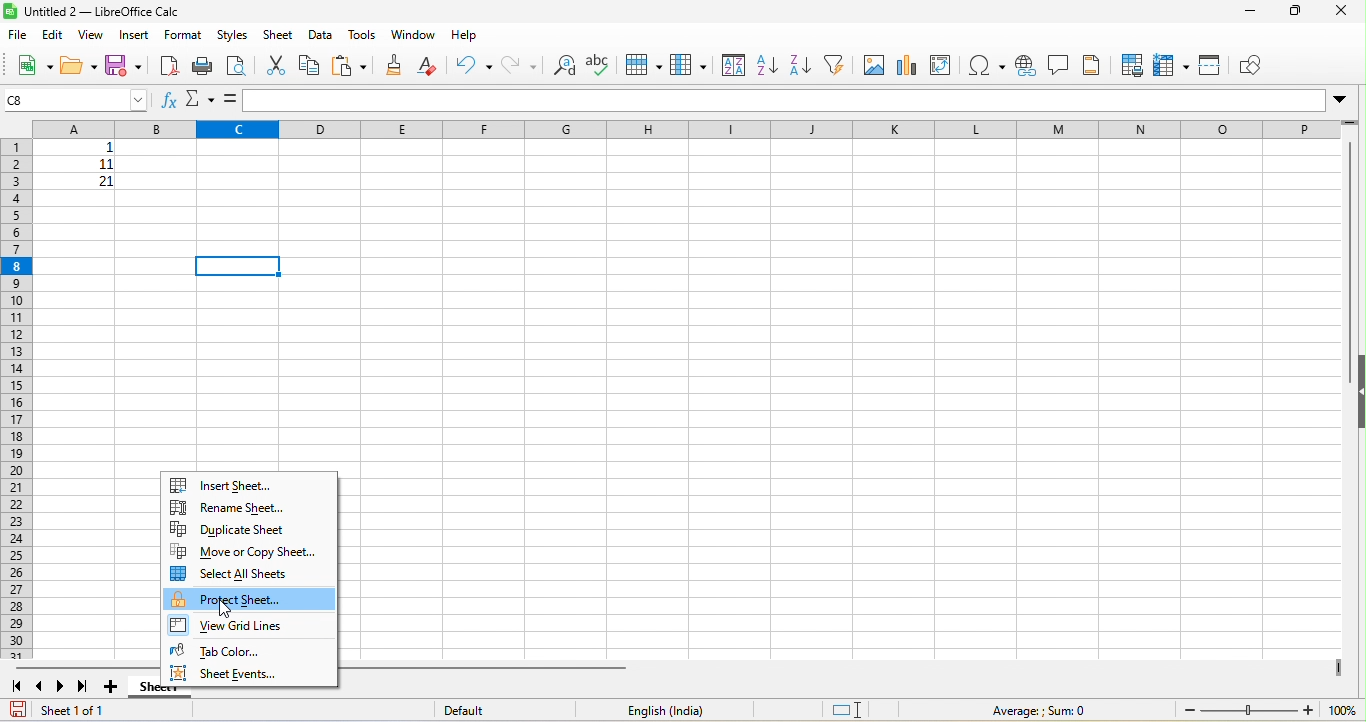 This screenshot has height=722, width=1366. I want to click on select function, so click(201, 99).